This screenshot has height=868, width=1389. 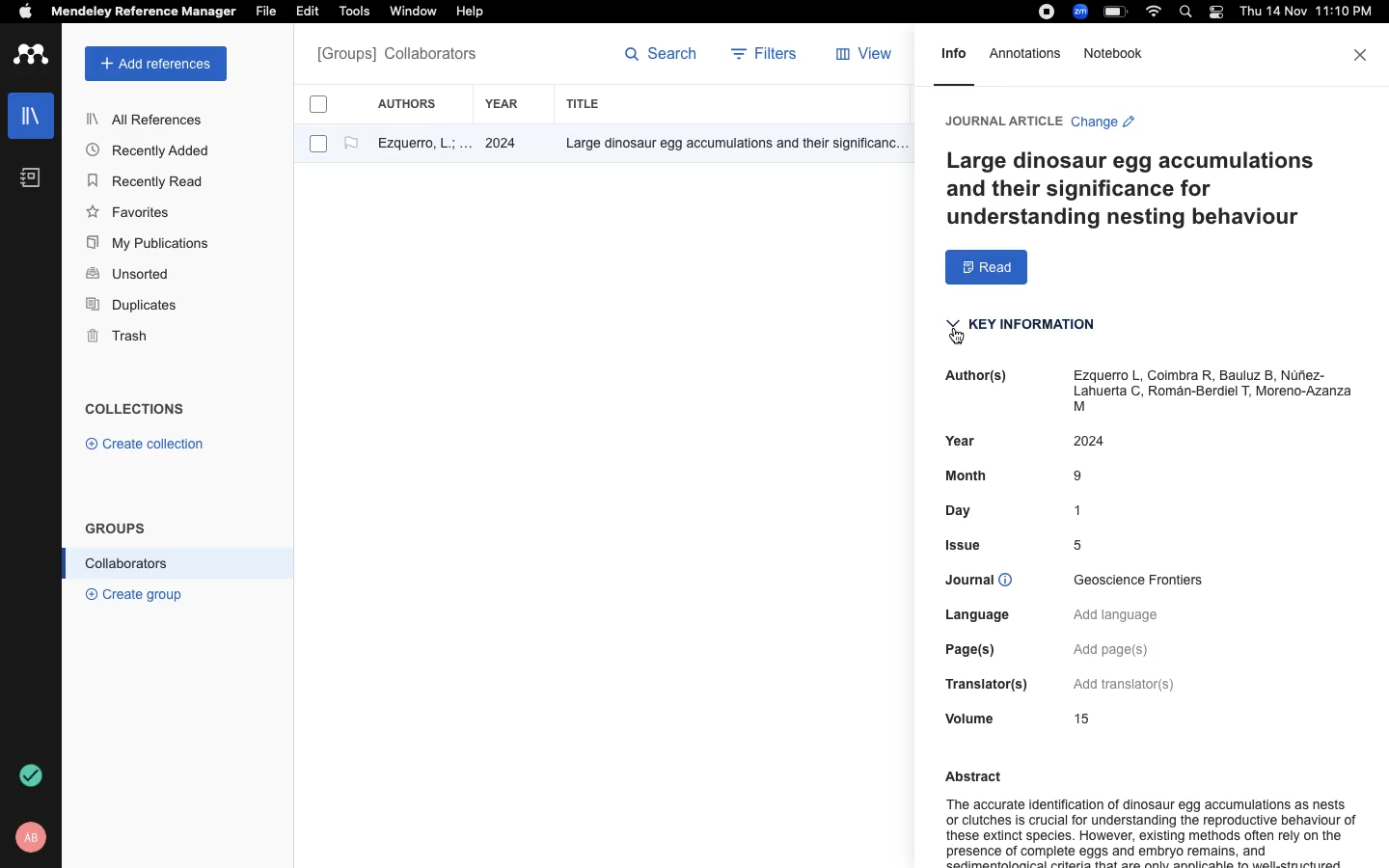 What do you see at coordinates (156, 64) in the screenshot?
I see `add references` at bounding box center [156, 64].